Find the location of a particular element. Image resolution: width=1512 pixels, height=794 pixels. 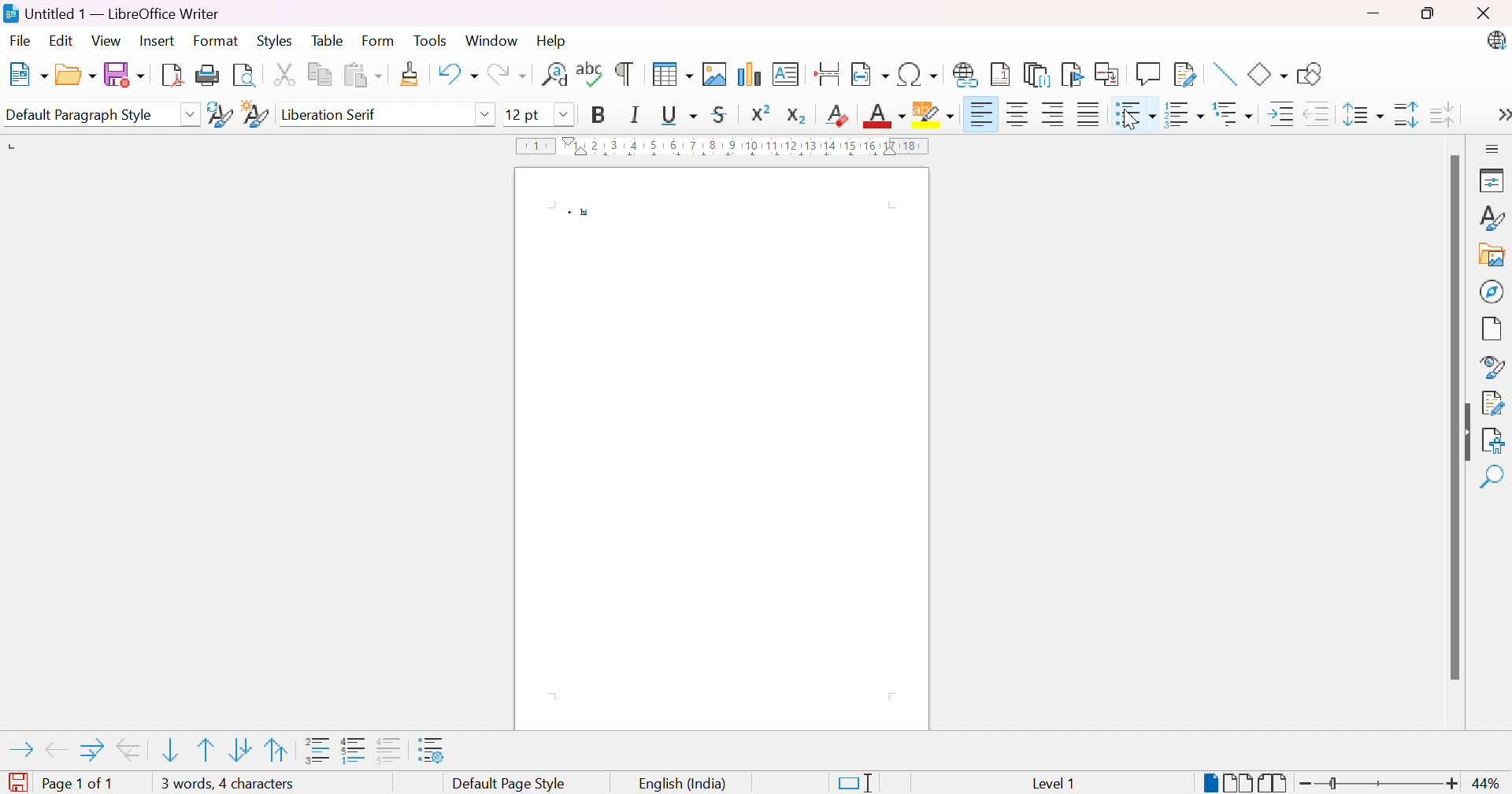

Standard selection. Click to change selection mode. is located at coordinates (858, 782).